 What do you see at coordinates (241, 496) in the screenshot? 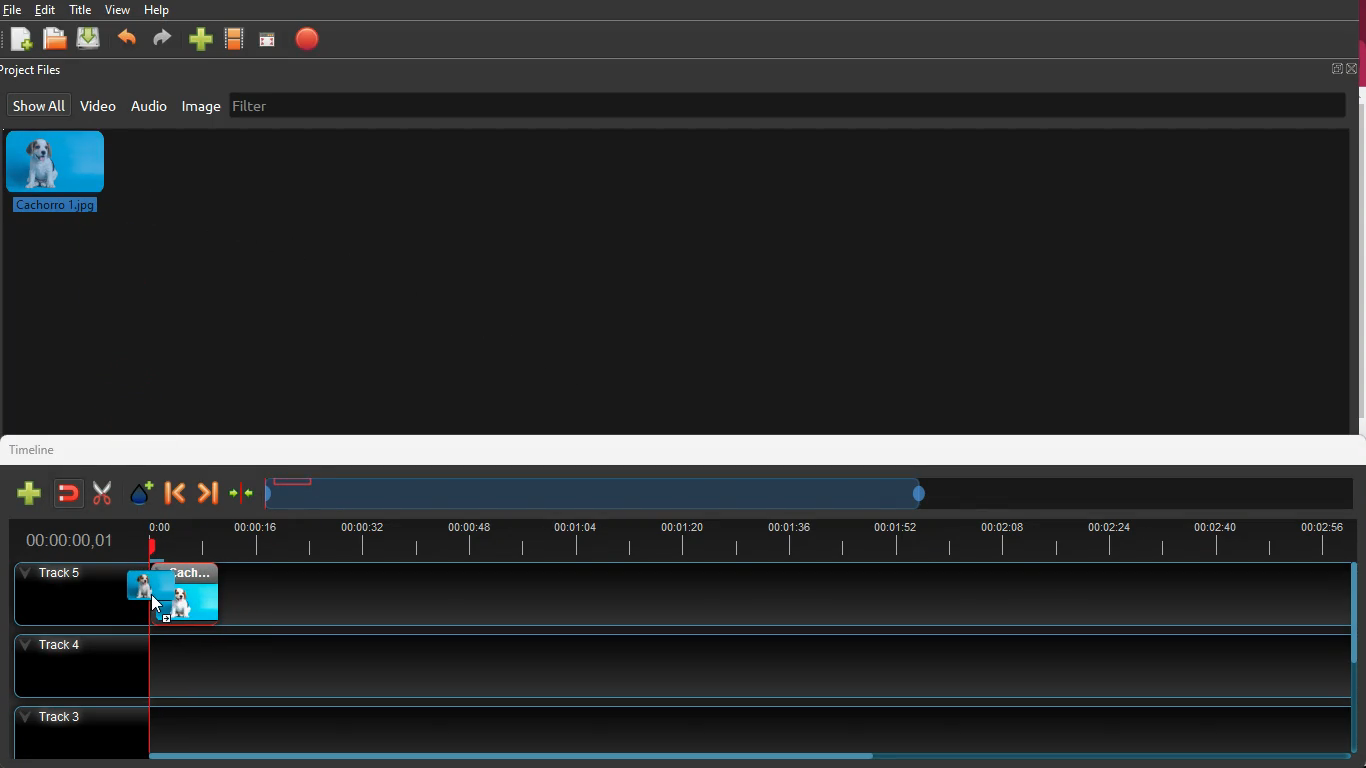
I see `compress` at bounding box center [241, 496].